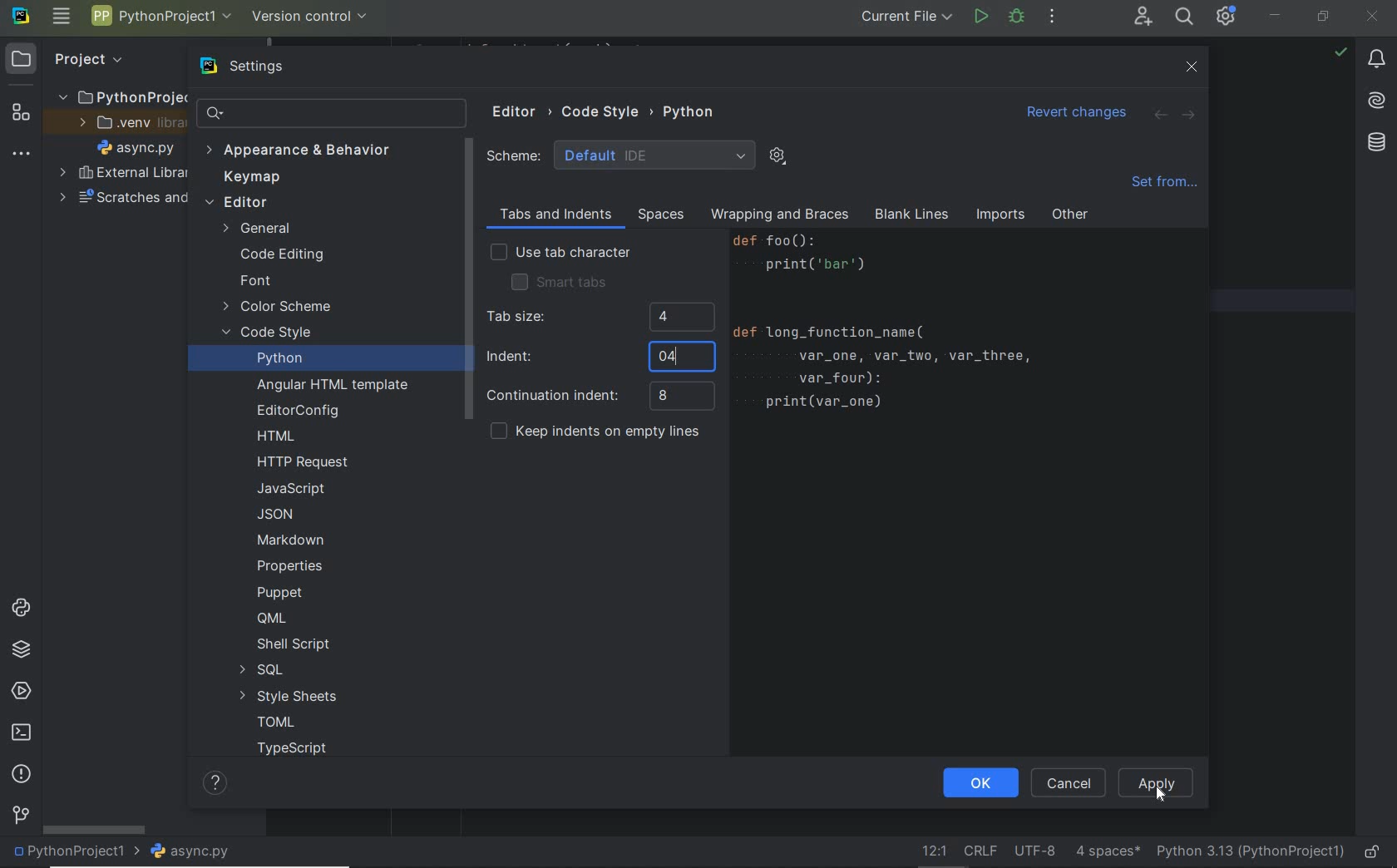 The image size is (1397, 868). Describe the element at coordinates (20, 817) in the screenshot. I see `version control` at that location.